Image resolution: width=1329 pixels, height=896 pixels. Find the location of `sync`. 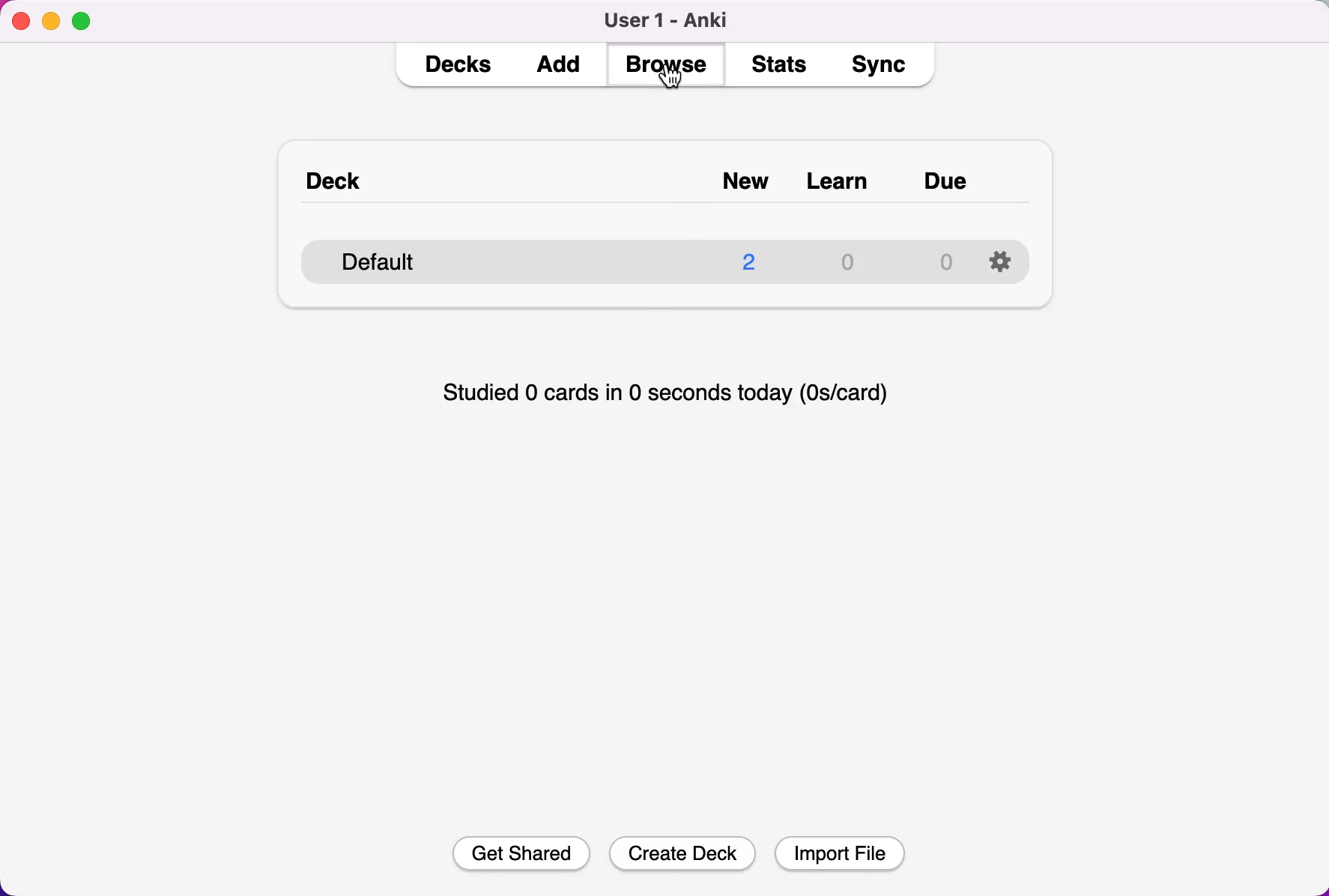

sync is located at coordinates (891, 68).